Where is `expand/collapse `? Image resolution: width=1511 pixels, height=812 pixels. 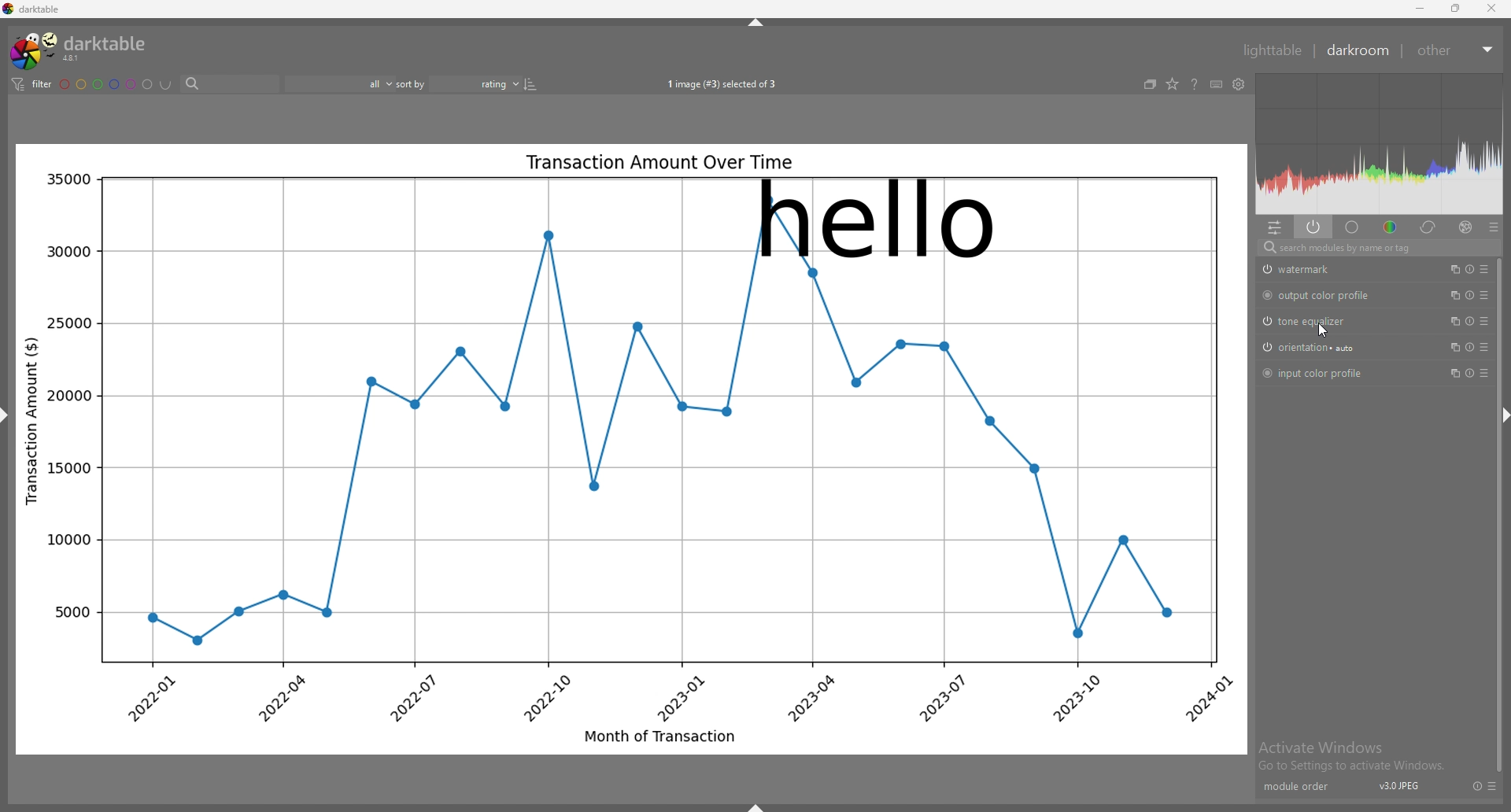
expand/collapse  is located at coordinates (1487, 50).